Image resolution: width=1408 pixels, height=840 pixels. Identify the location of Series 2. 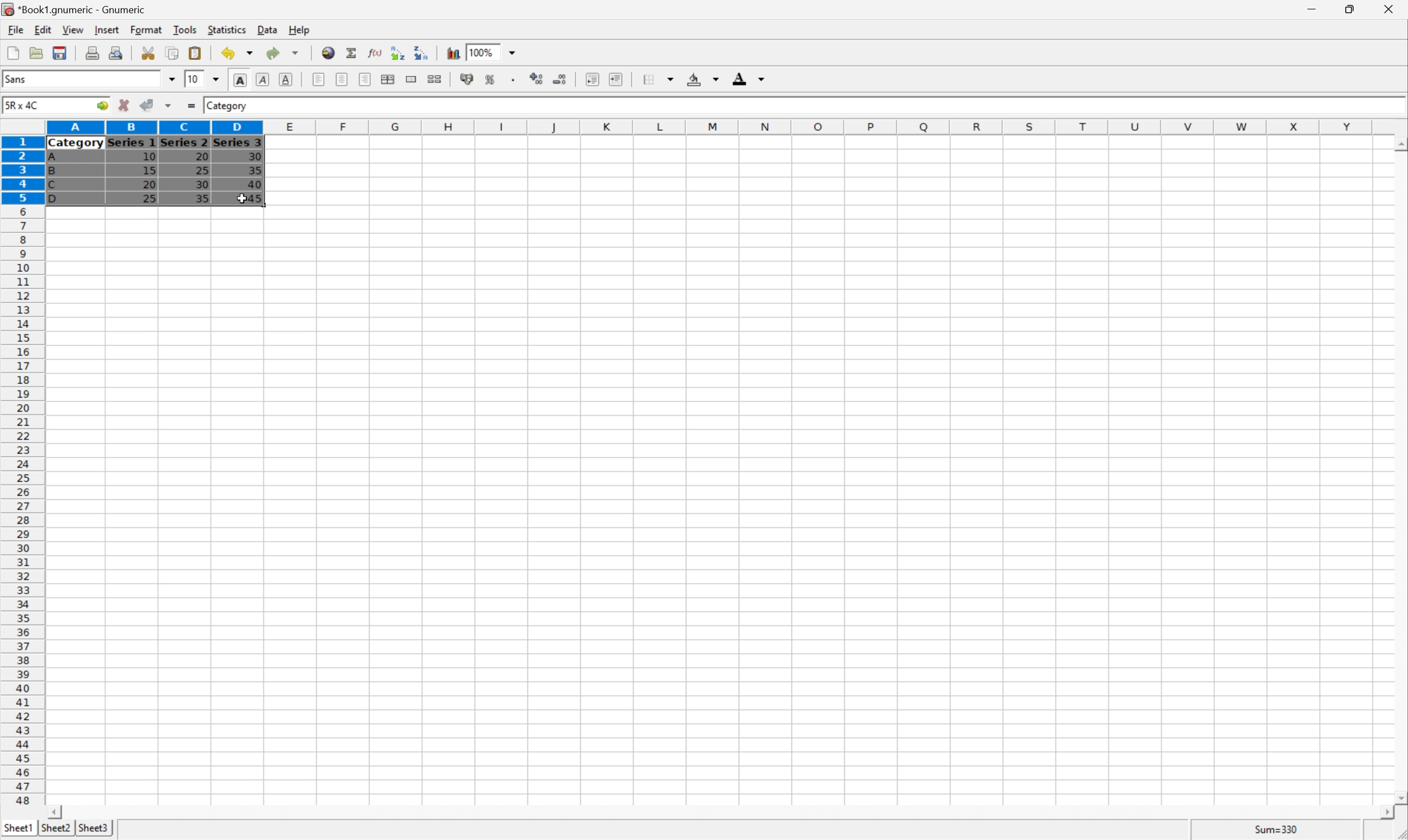
(183, 142).